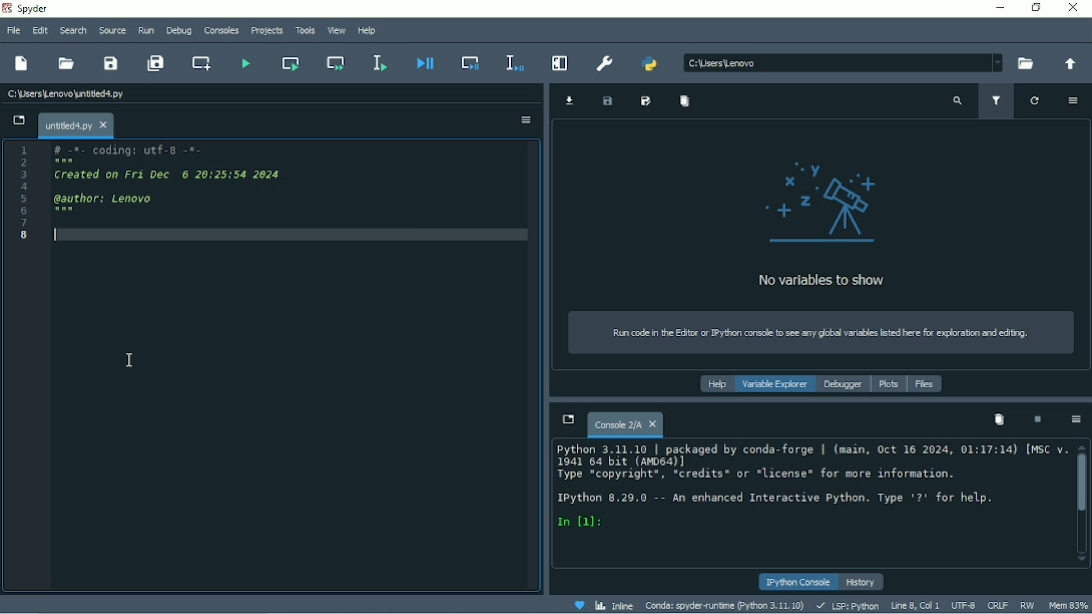 The width and height of the screenshot is (1092, 614). Describe the element at coordinates (958, 101) in the screenshot. I see `Search variable names and types` at that location.